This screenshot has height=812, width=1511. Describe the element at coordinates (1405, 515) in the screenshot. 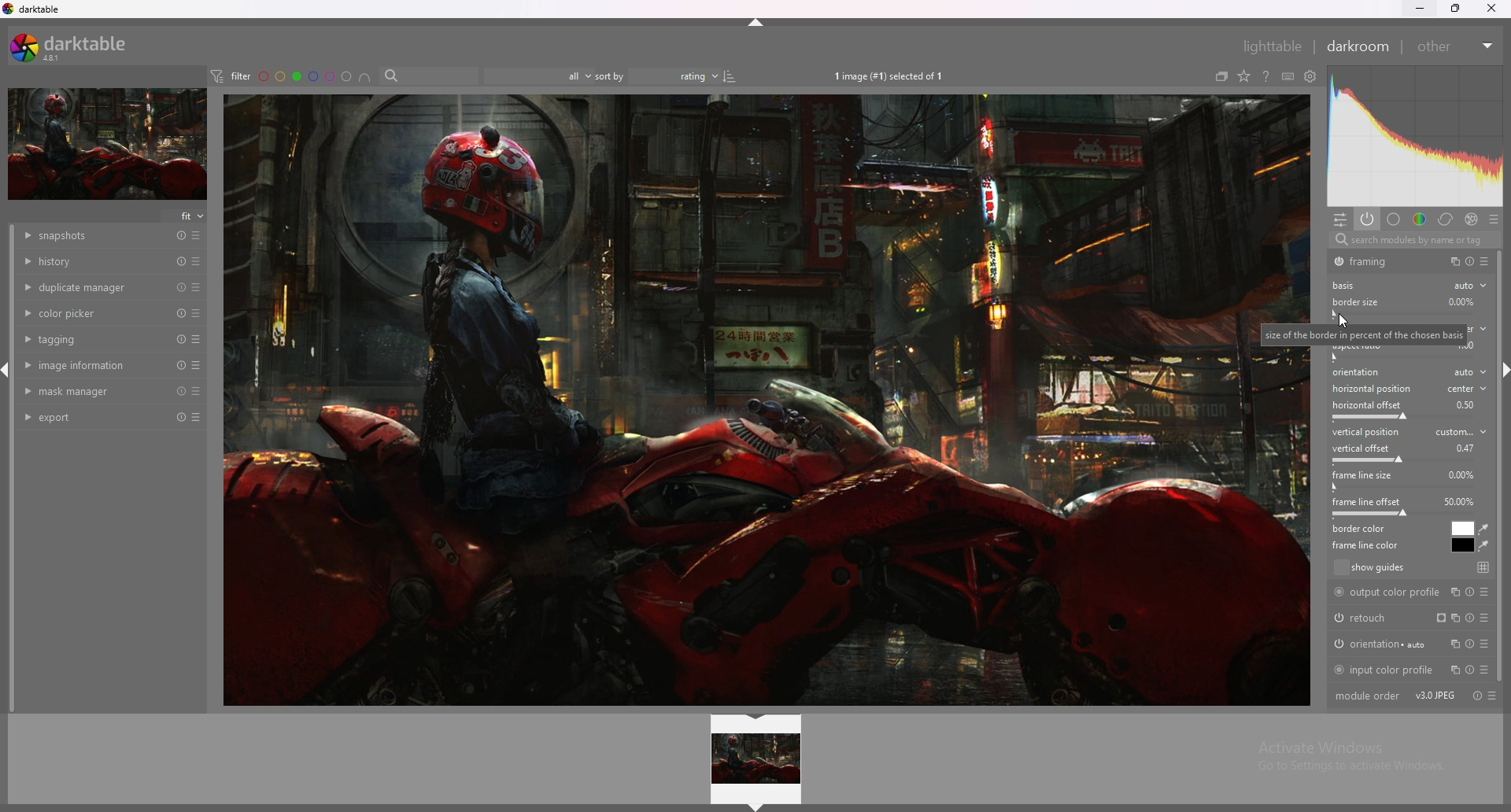

I see `frame line offset bar` at that location.